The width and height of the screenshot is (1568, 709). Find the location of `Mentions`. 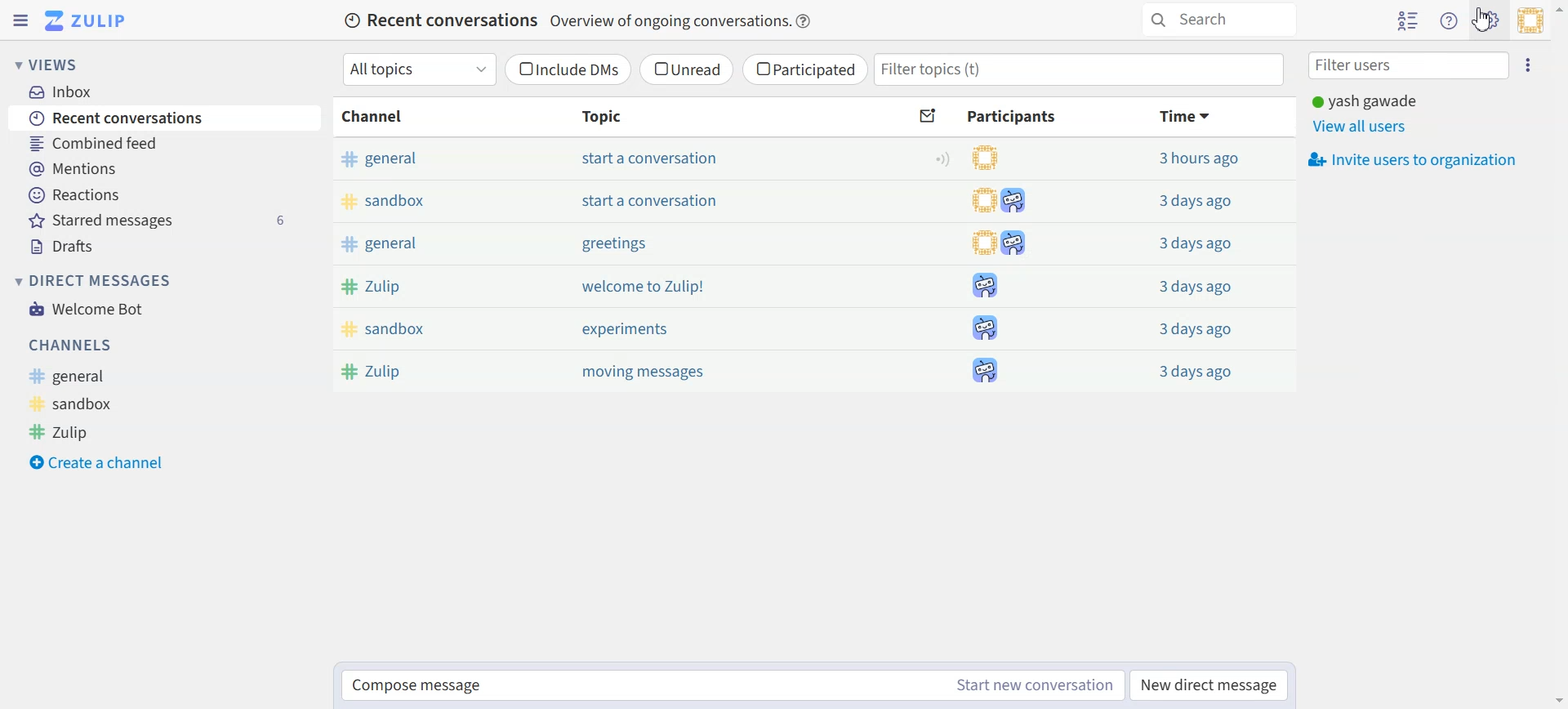

Mentions is located at coordinates (78, 167).